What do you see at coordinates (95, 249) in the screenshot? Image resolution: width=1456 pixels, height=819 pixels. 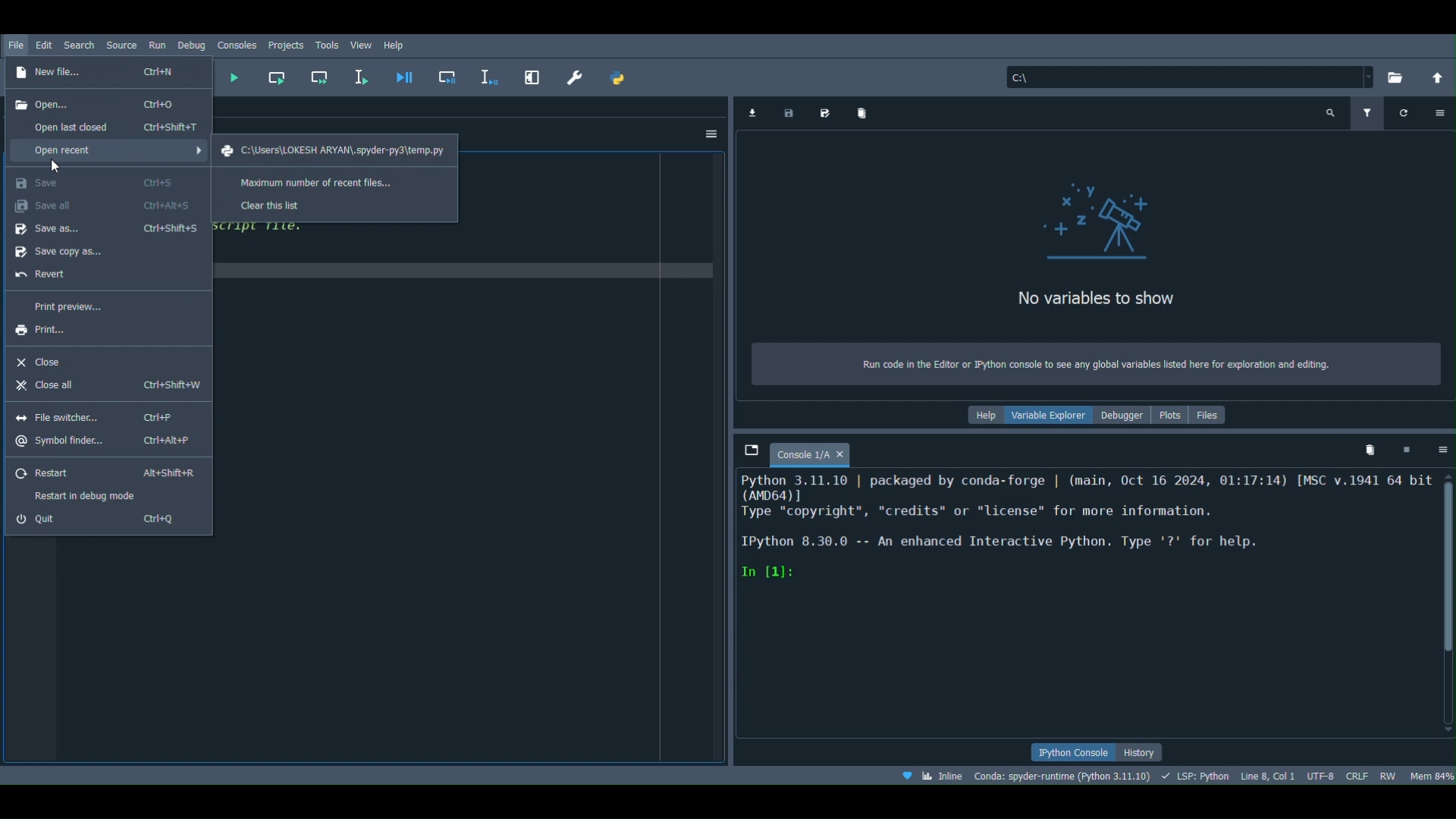 I see `Save copy as` at bounding box center [95, 249].